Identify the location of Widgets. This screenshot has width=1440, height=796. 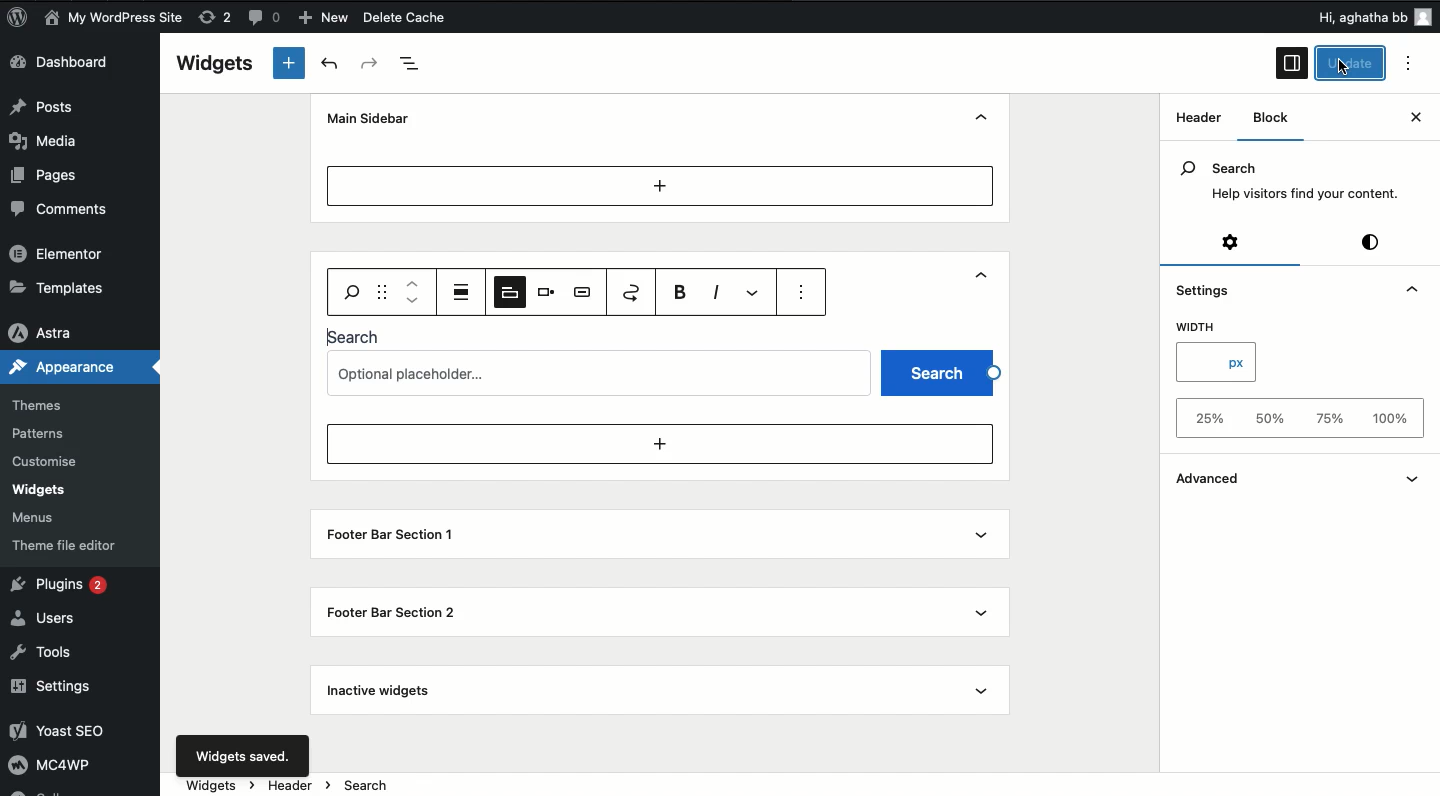
(215, 63).